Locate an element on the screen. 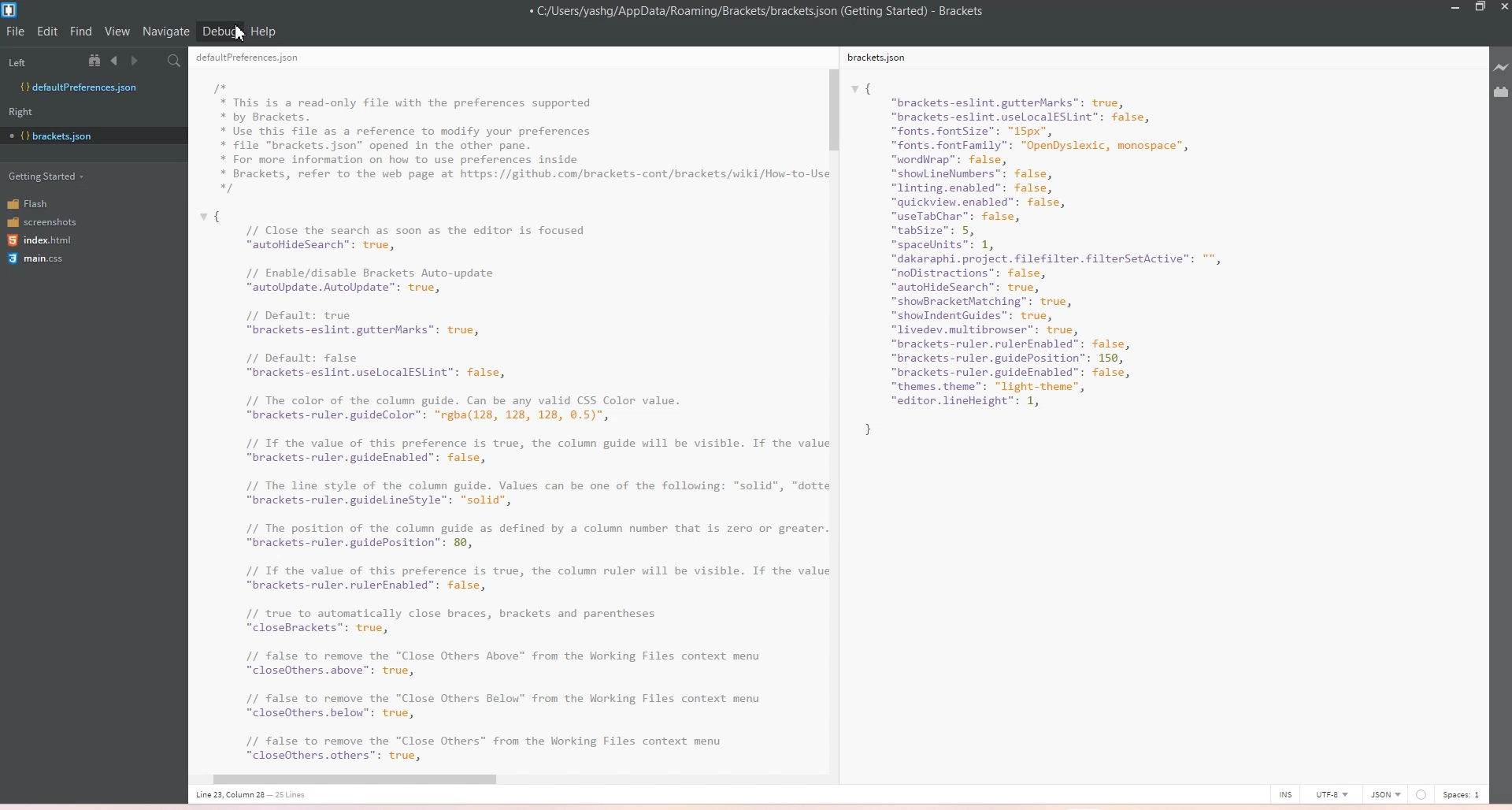 The height and width of the screenshot is (810, 1512). Extension Manager is located at coordinates (1501, 92).